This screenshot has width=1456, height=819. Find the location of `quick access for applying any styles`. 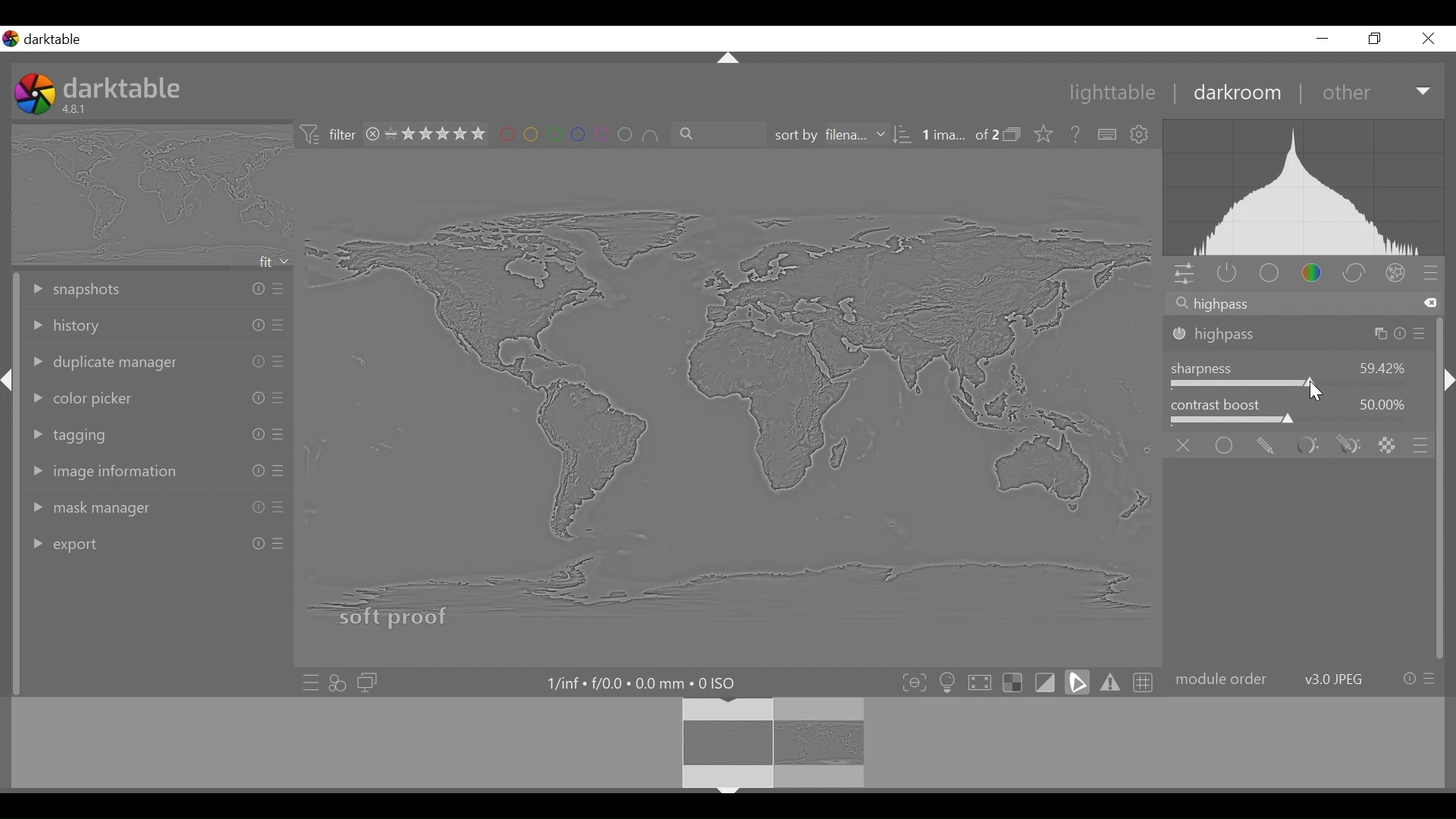

quick access for applying any styles is located at coordinates (338, 683).